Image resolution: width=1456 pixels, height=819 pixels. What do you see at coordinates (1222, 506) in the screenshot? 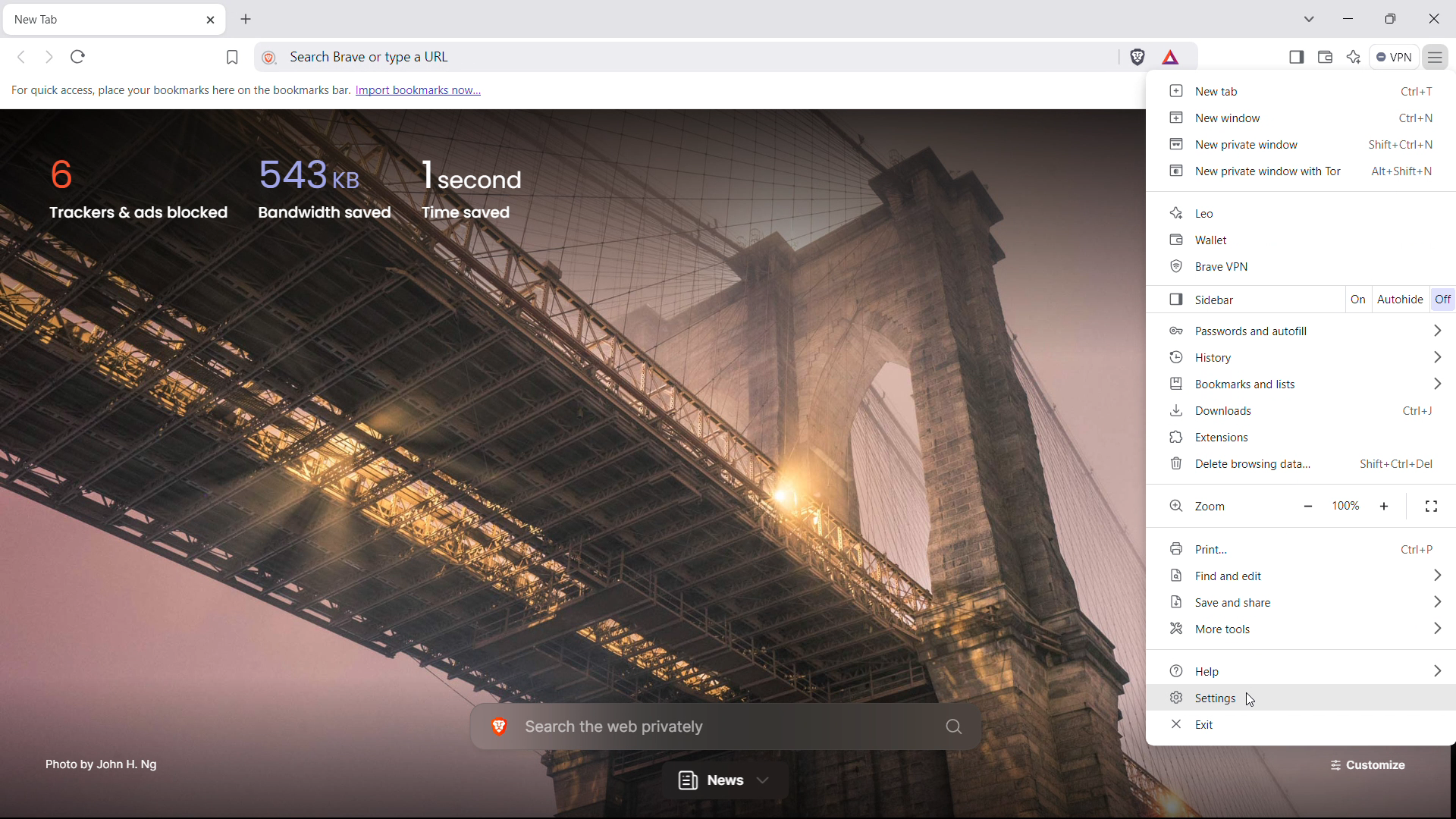
I see `Zoom` at bounding box center [1222, 506].